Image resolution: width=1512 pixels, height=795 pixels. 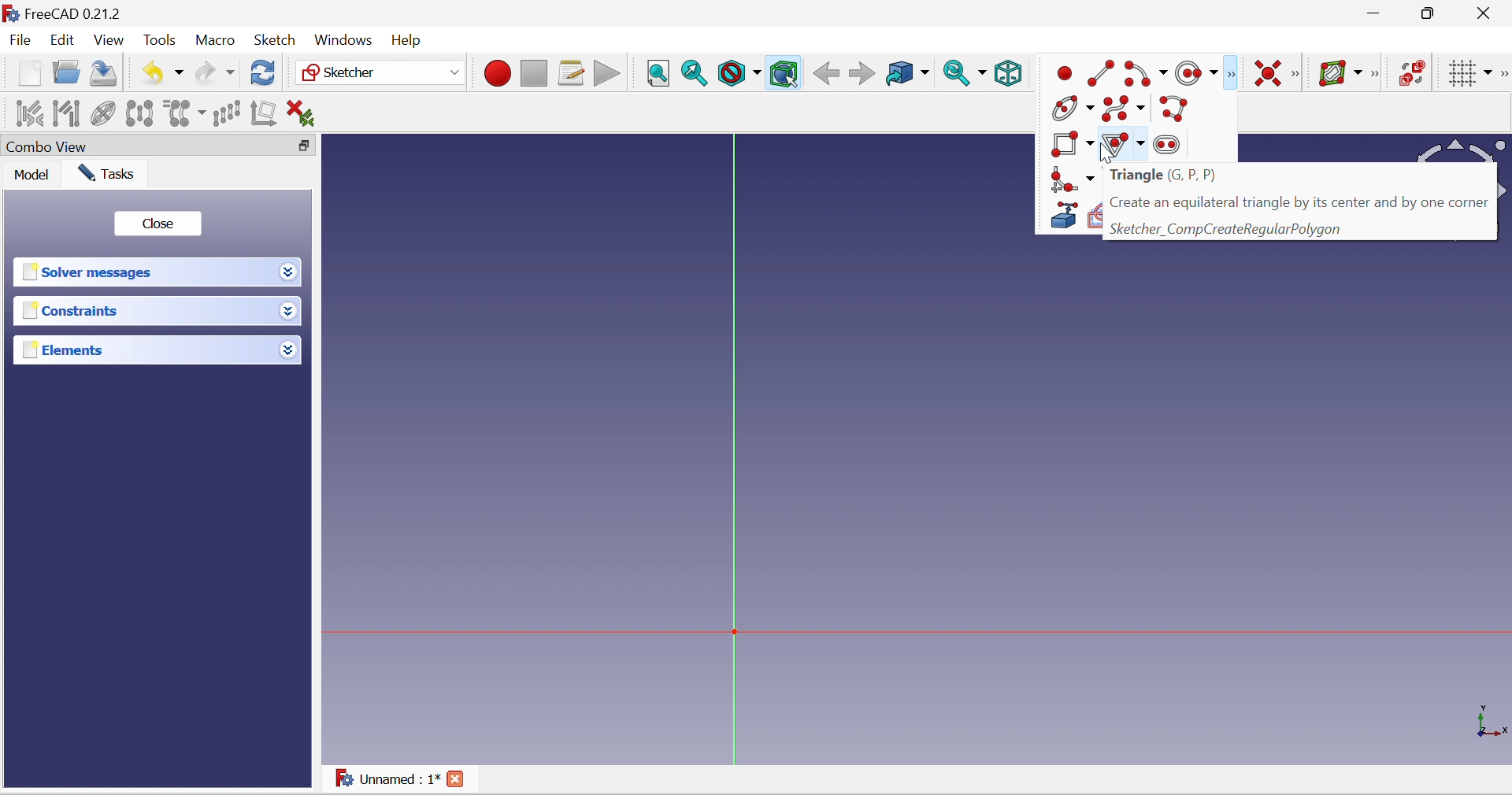 I want to click on Create carbon copy, so click(x=1095, y=215).